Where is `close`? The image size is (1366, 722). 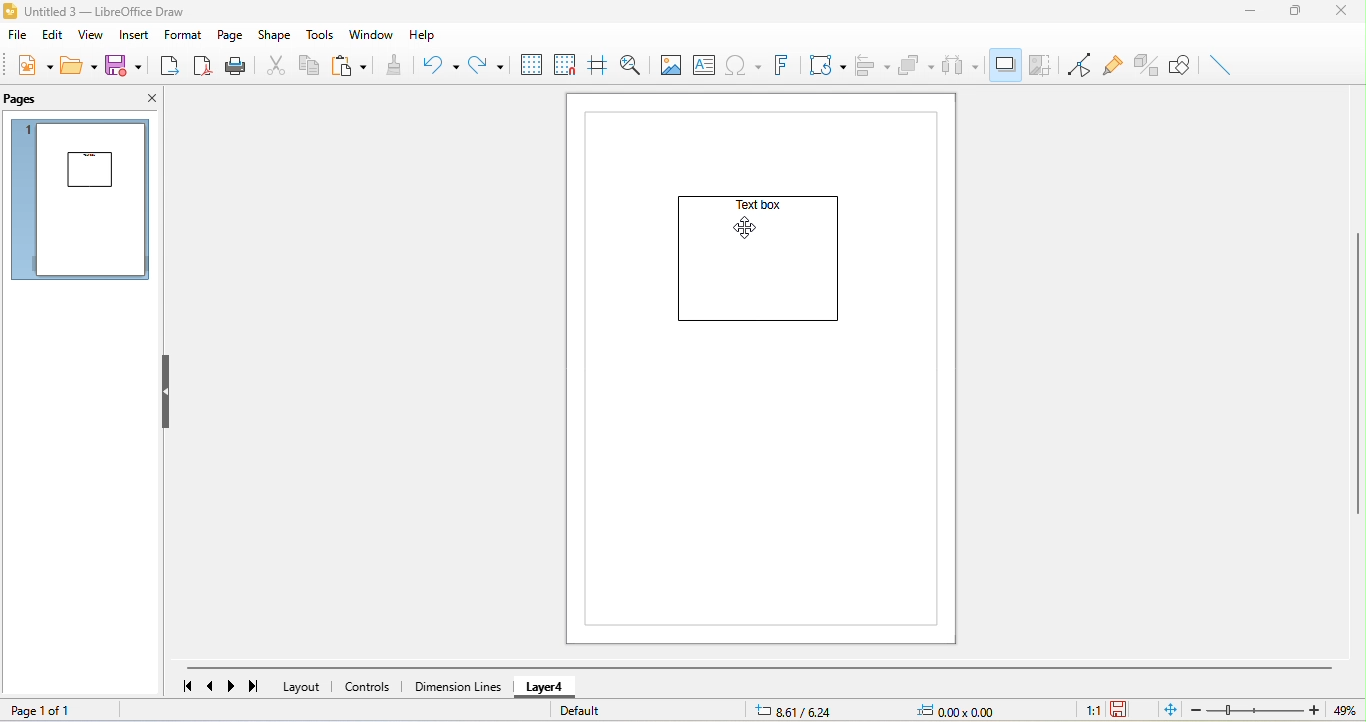 close is located at coordinates (1345, 11).